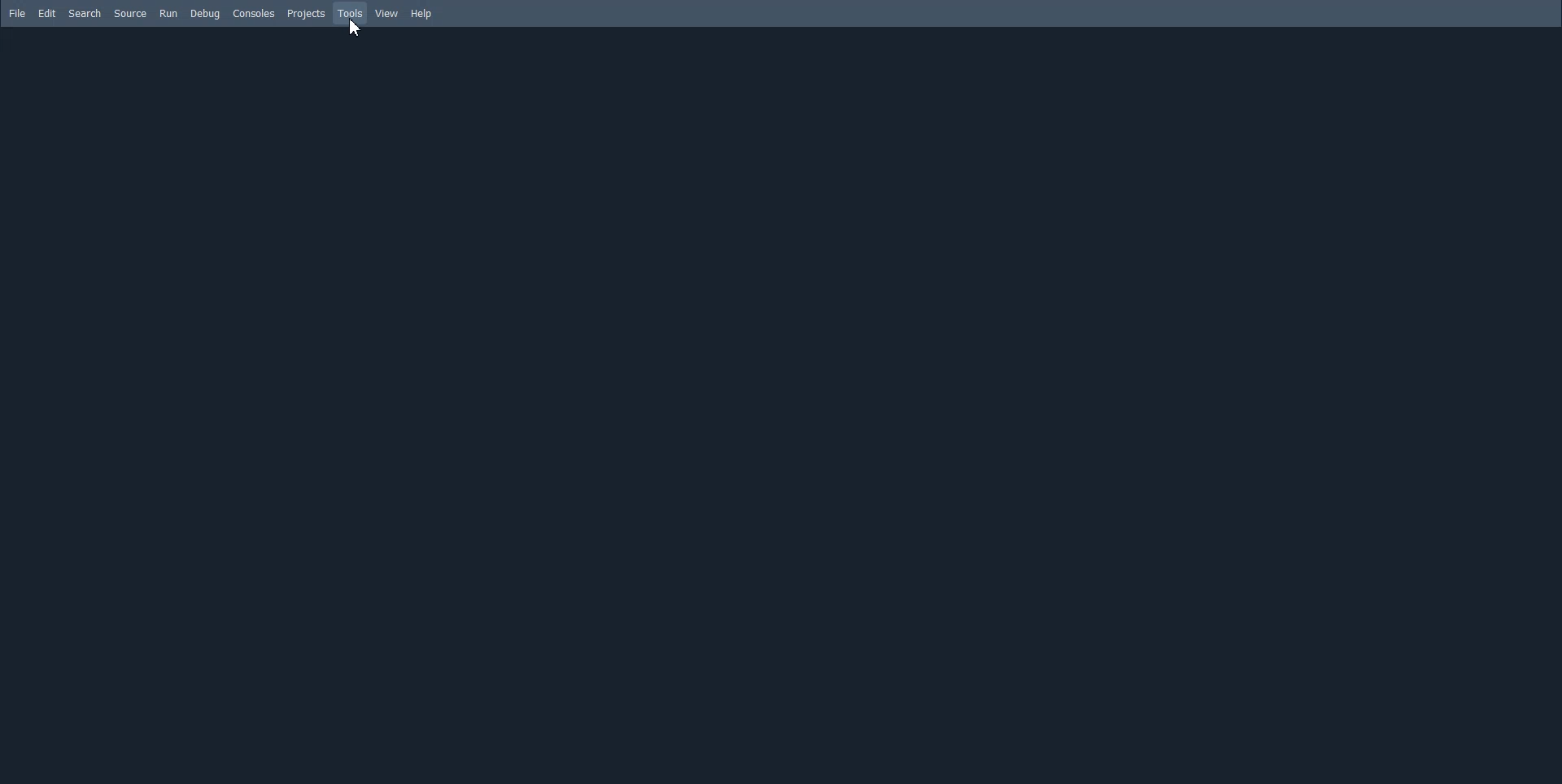 The height and width of the screenshot is (784, 1562). Describe the element at coordinates (388, 14) in the screenshot. I see `View` at that location.